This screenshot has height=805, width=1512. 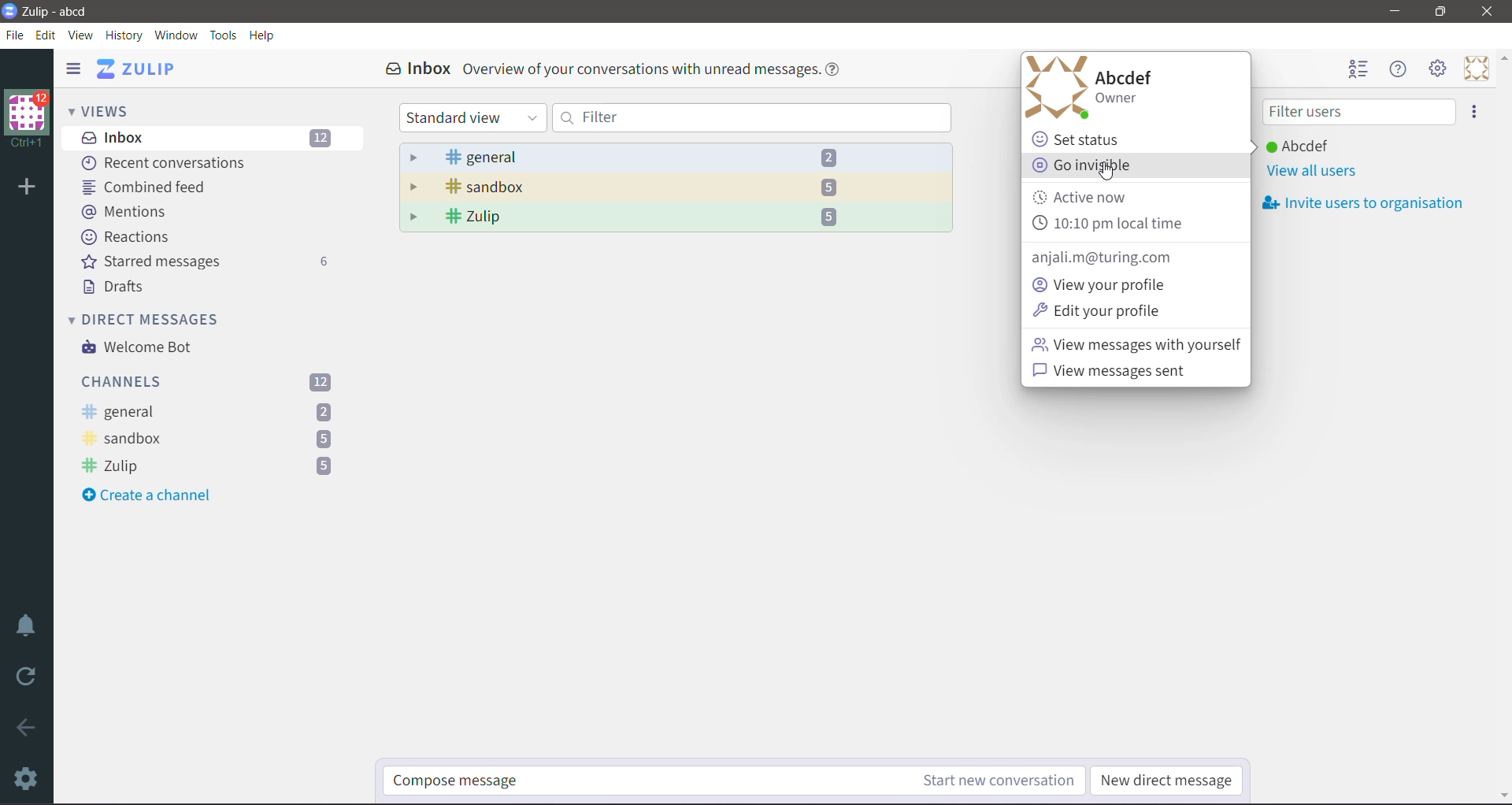 I want to click on New direct message, so click(x=1168, y=781).